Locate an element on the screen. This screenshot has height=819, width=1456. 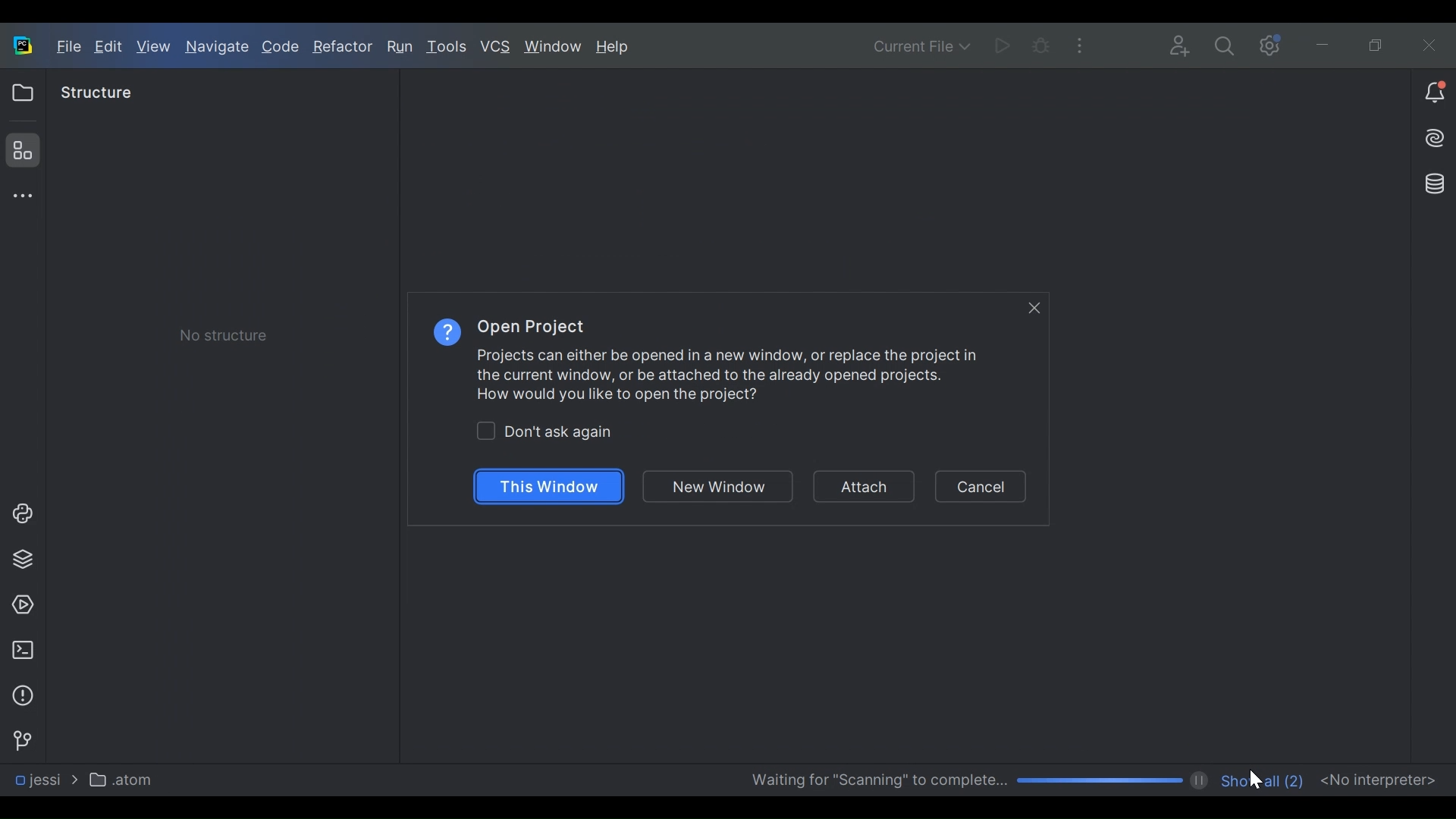
AI Assistant is located at coordinates (1433, 138).